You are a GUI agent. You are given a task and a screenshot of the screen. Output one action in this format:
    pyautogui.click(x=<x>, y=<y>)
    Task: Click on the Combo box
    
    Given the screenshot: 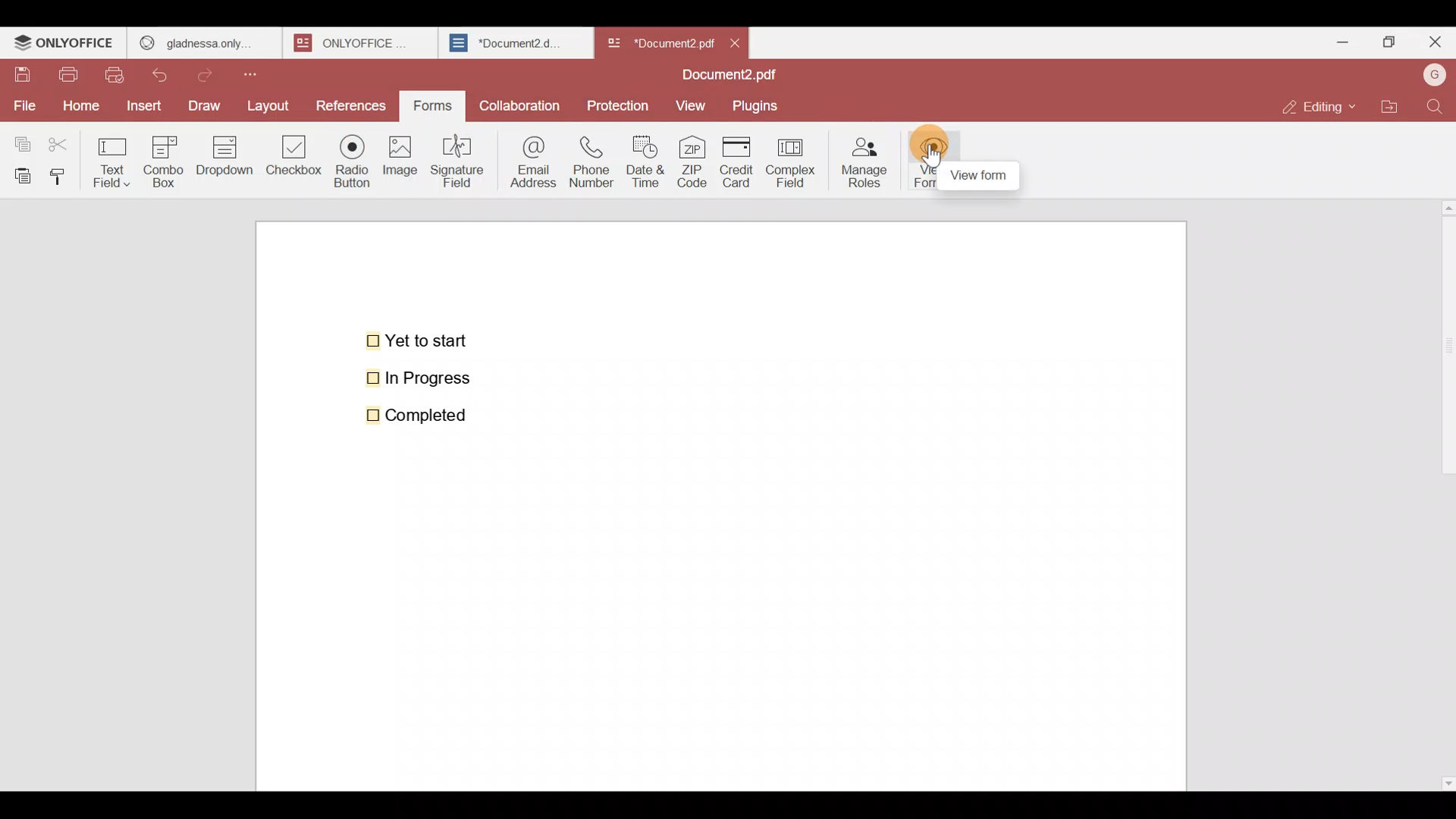 What is the action you would take?
    pyautogui.click(x=163, y=159)
    